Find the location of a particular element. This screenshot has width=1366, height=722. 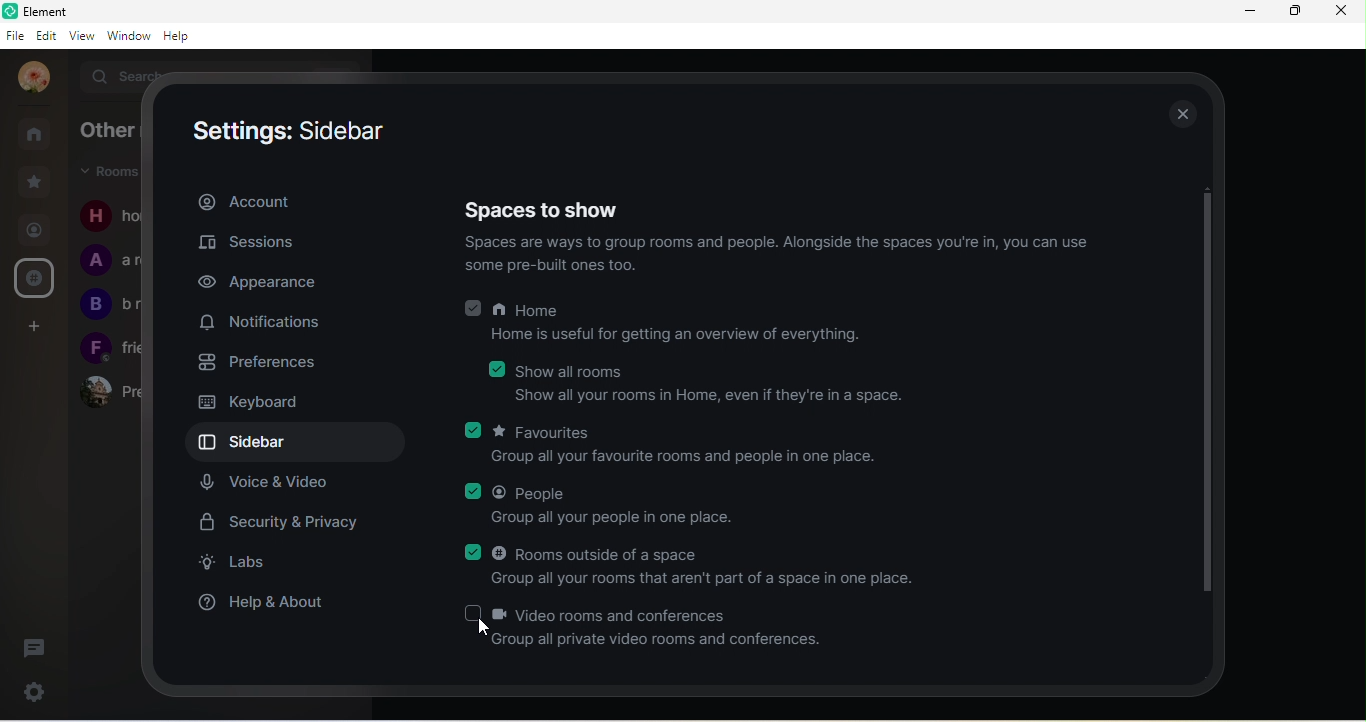

logo is located at coordinates (12, 13).